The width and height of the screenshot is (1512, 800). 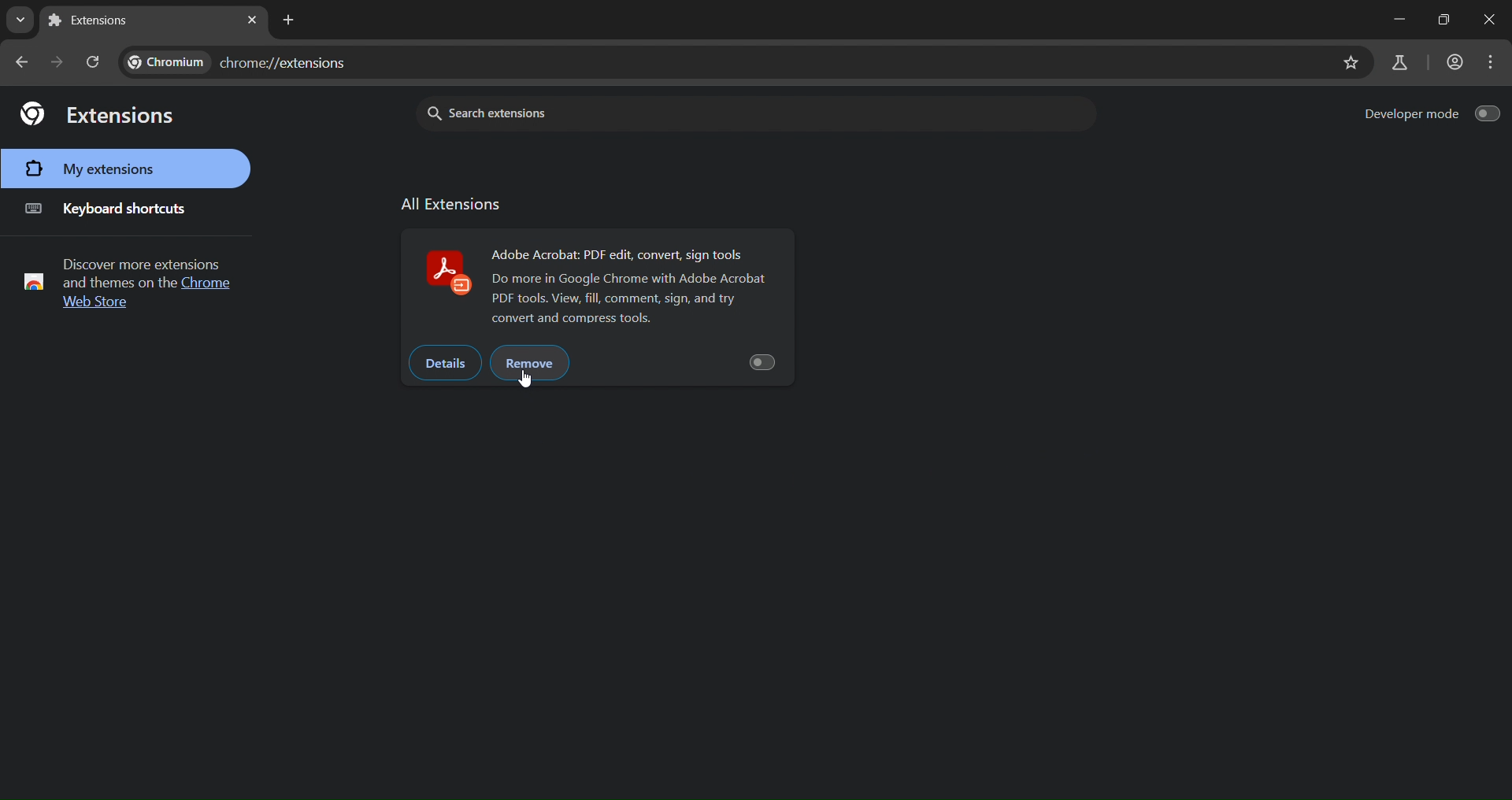 I want to click on extensions, so click(x=101, y=113).